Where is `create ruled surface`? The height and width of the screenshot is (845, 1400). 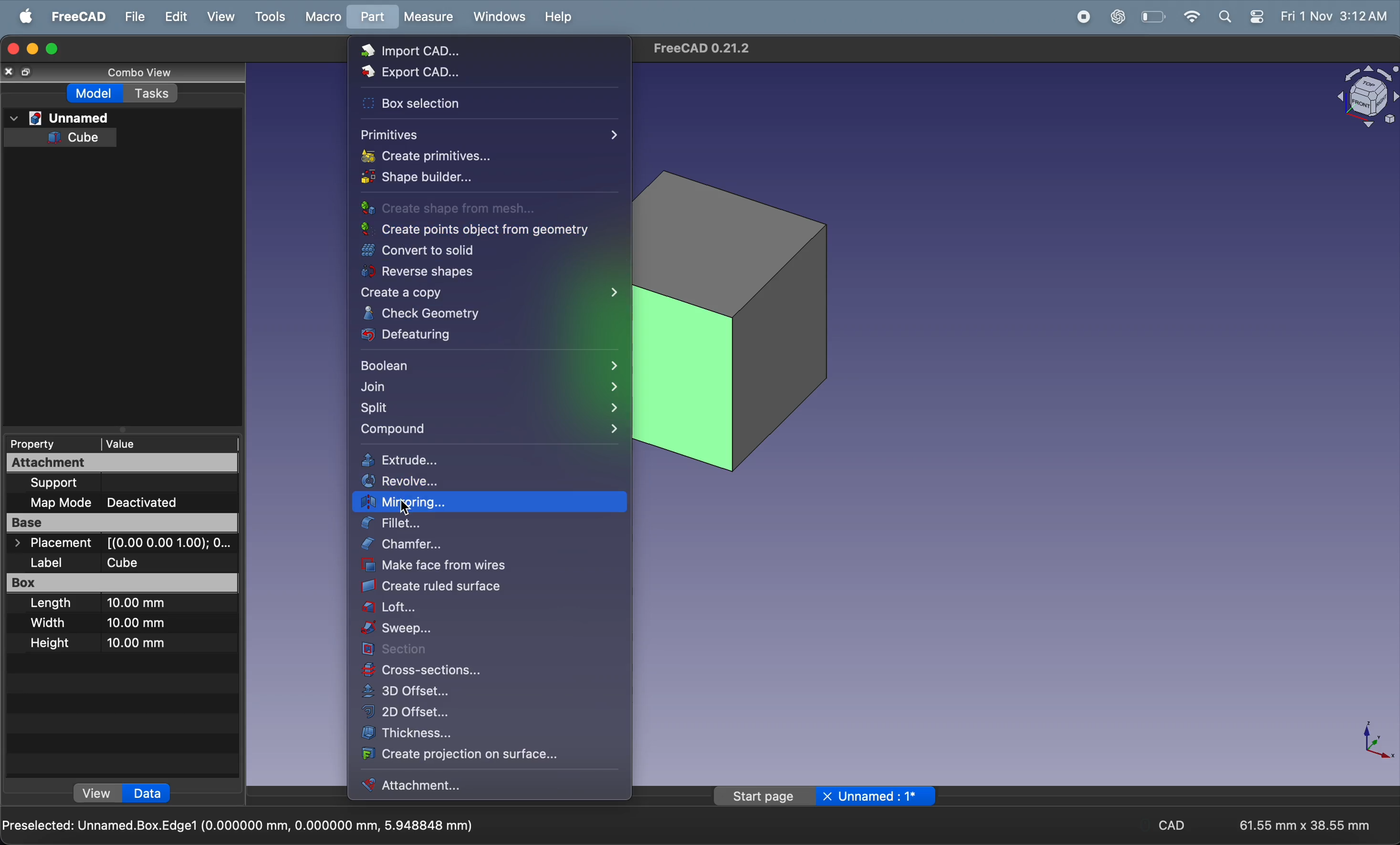
create ruled surface is located at coordinates (484, 587).